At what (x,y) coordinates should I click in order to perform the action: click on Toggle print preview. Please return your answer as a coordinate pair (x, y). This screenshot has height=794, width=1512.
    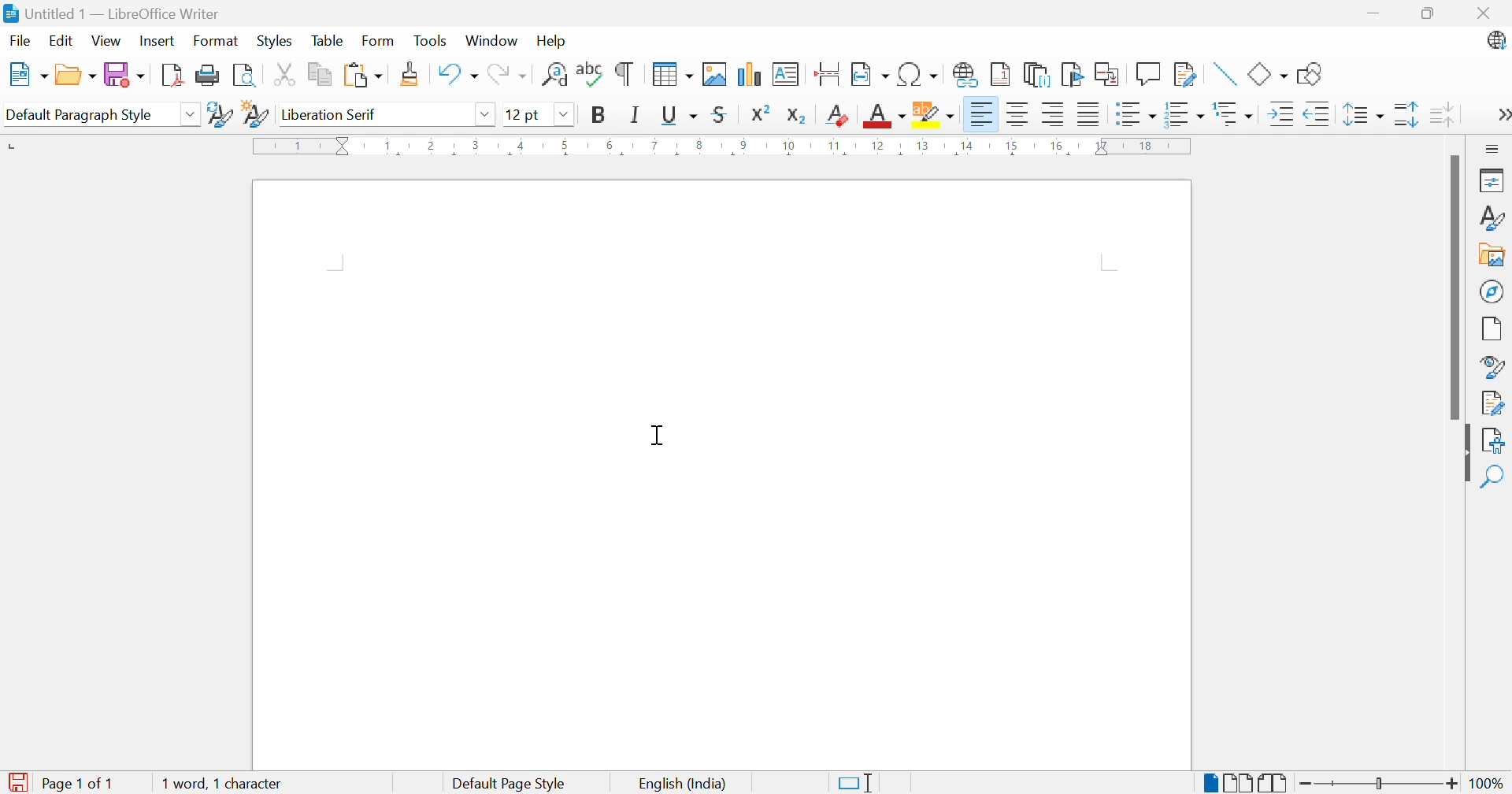
    Looking at the image, I should click on (245, 76).